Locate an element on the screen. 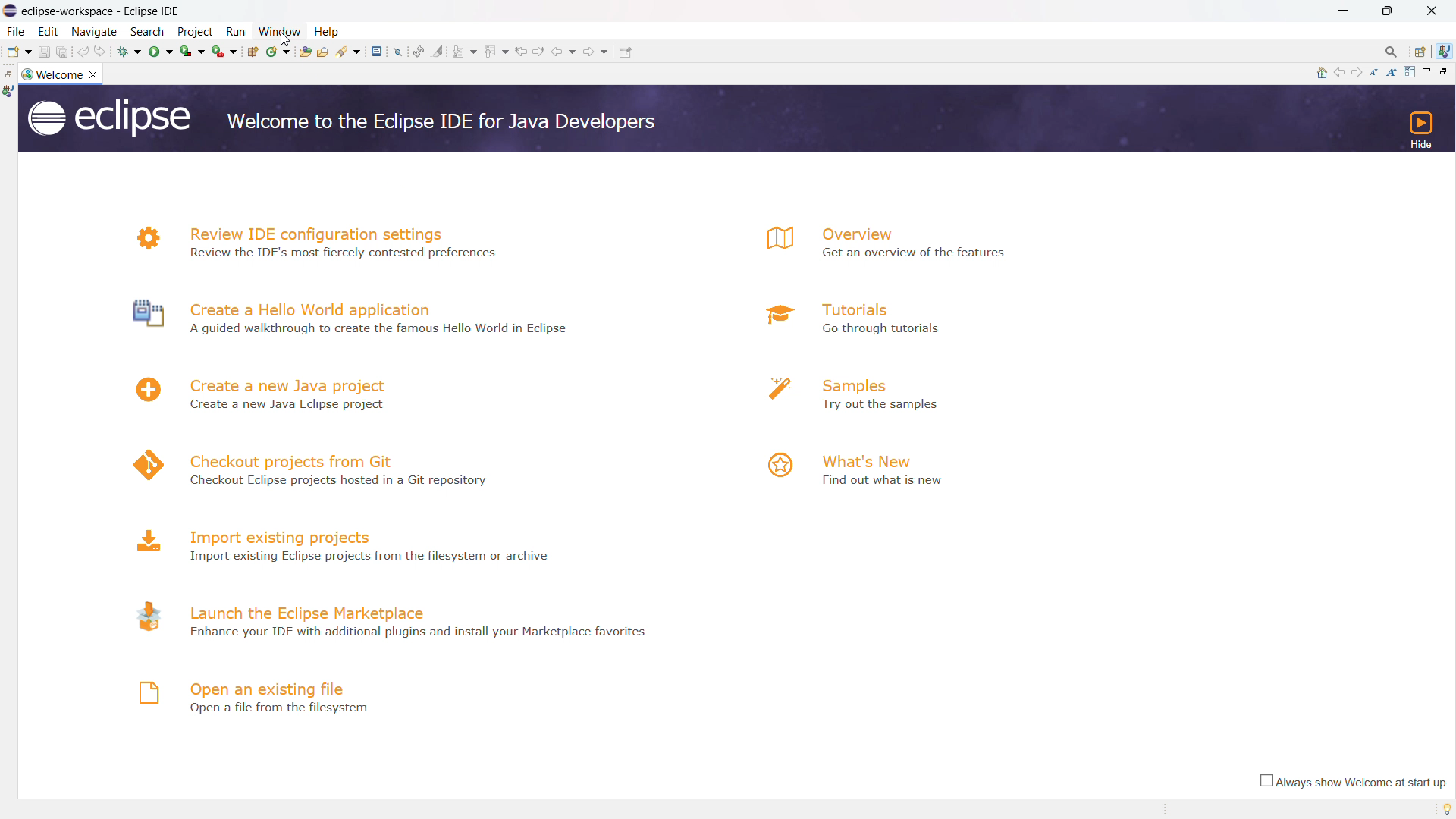  back is located at coordinates (563, 52).